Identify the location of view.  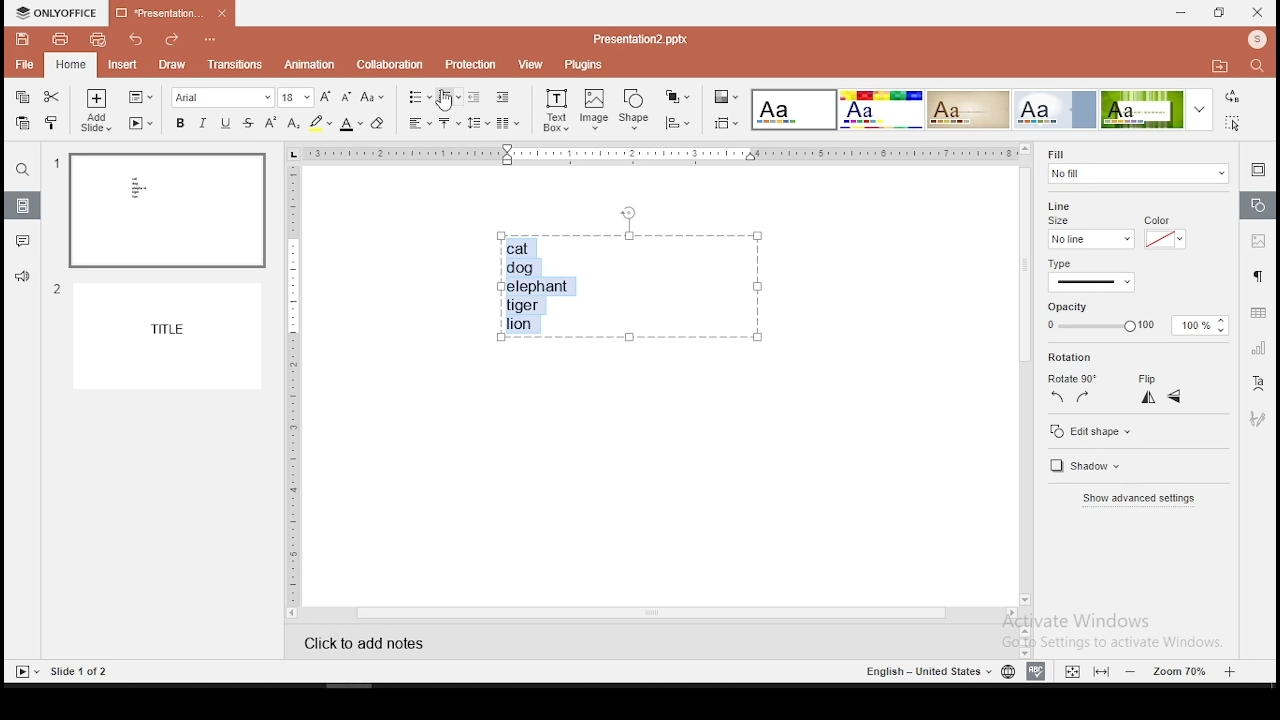
(527, 65).